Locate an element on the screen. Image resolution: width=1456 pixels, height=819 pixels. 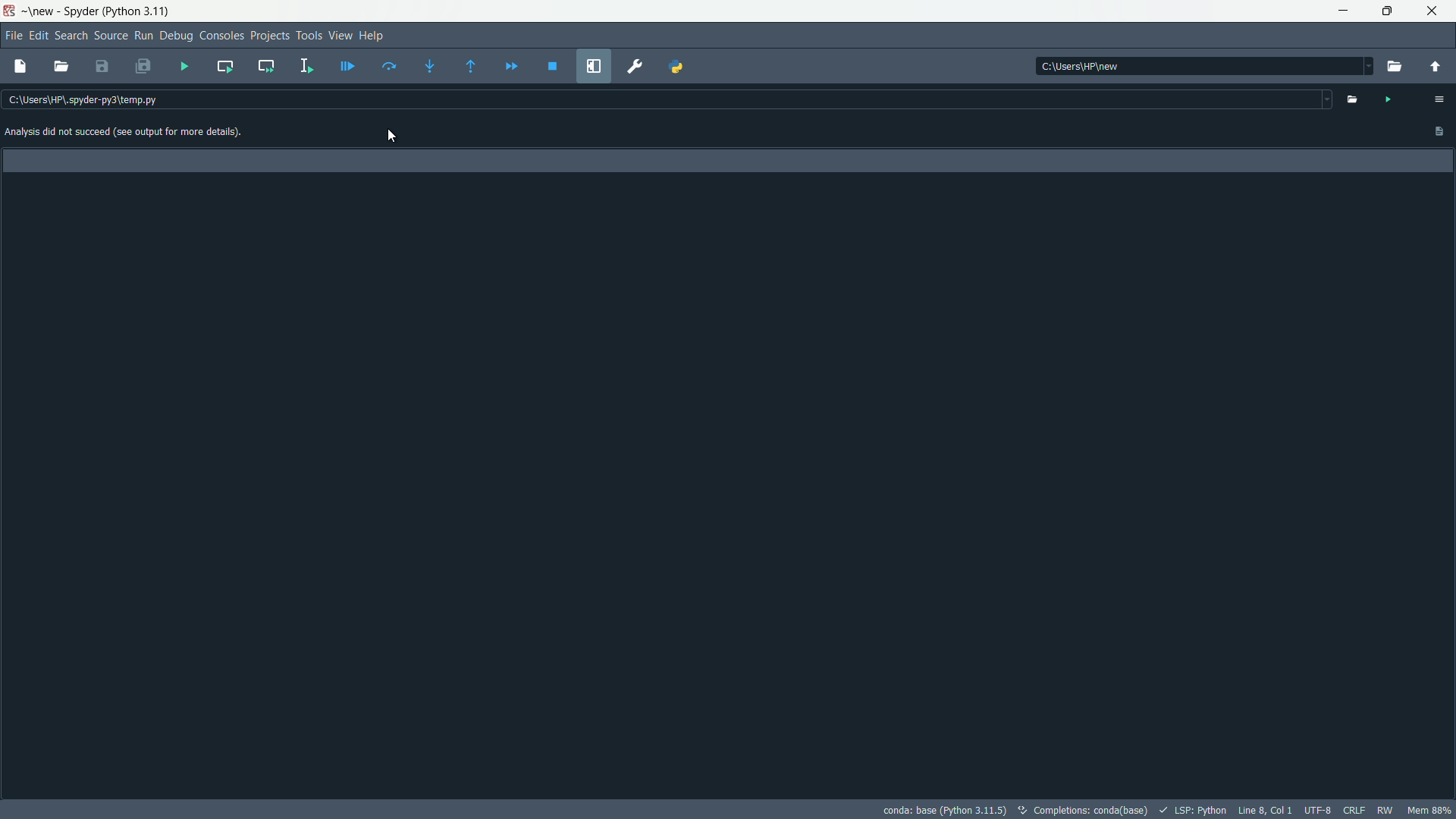
open file is located at coordinates (1352, 99).